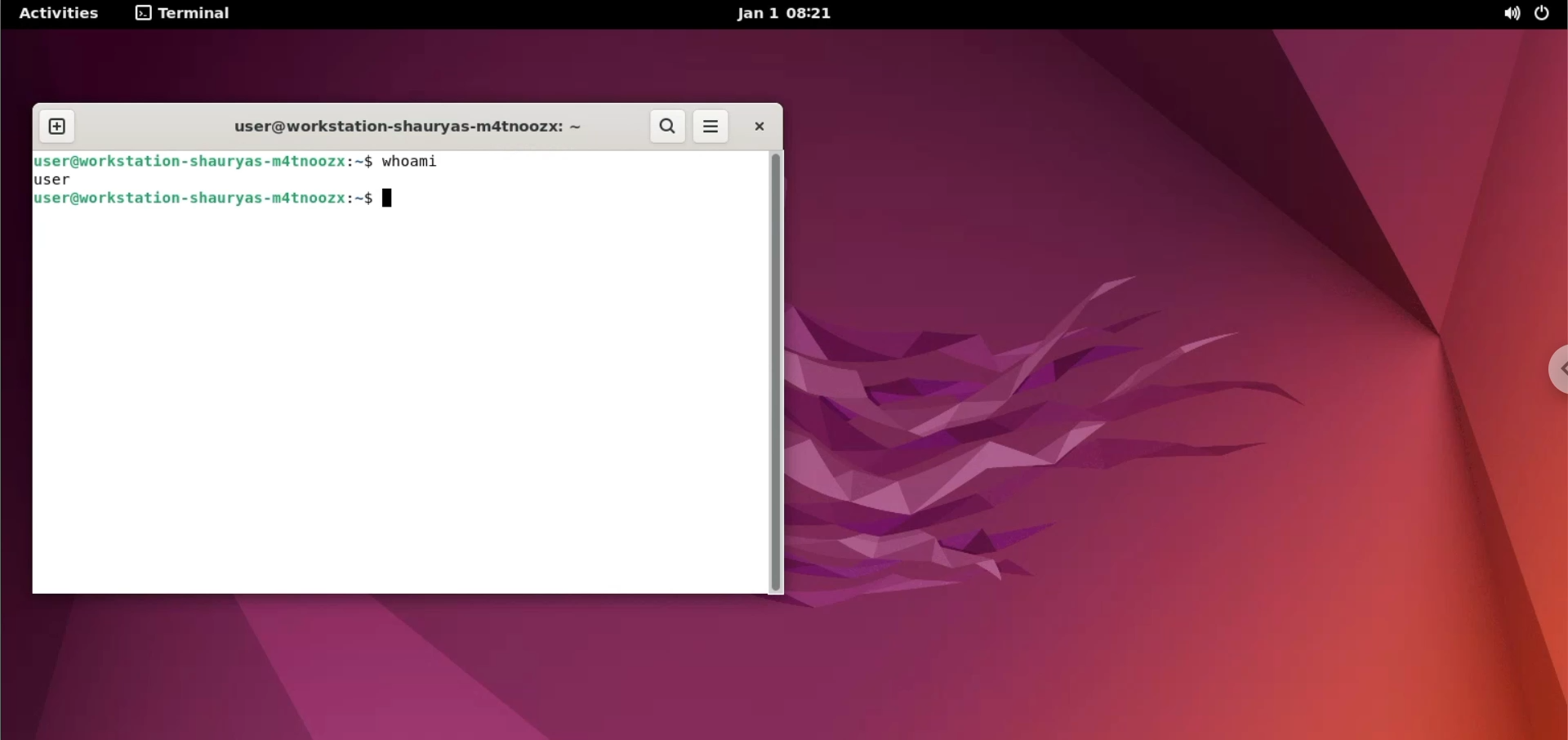 The height and width of the screenshot is (740, 1568). Describe the element at coordinates (240, 162) in the screenshot. I see `user@workstation-shauryas-m4tnoozx:~%$ whoami` at that location.